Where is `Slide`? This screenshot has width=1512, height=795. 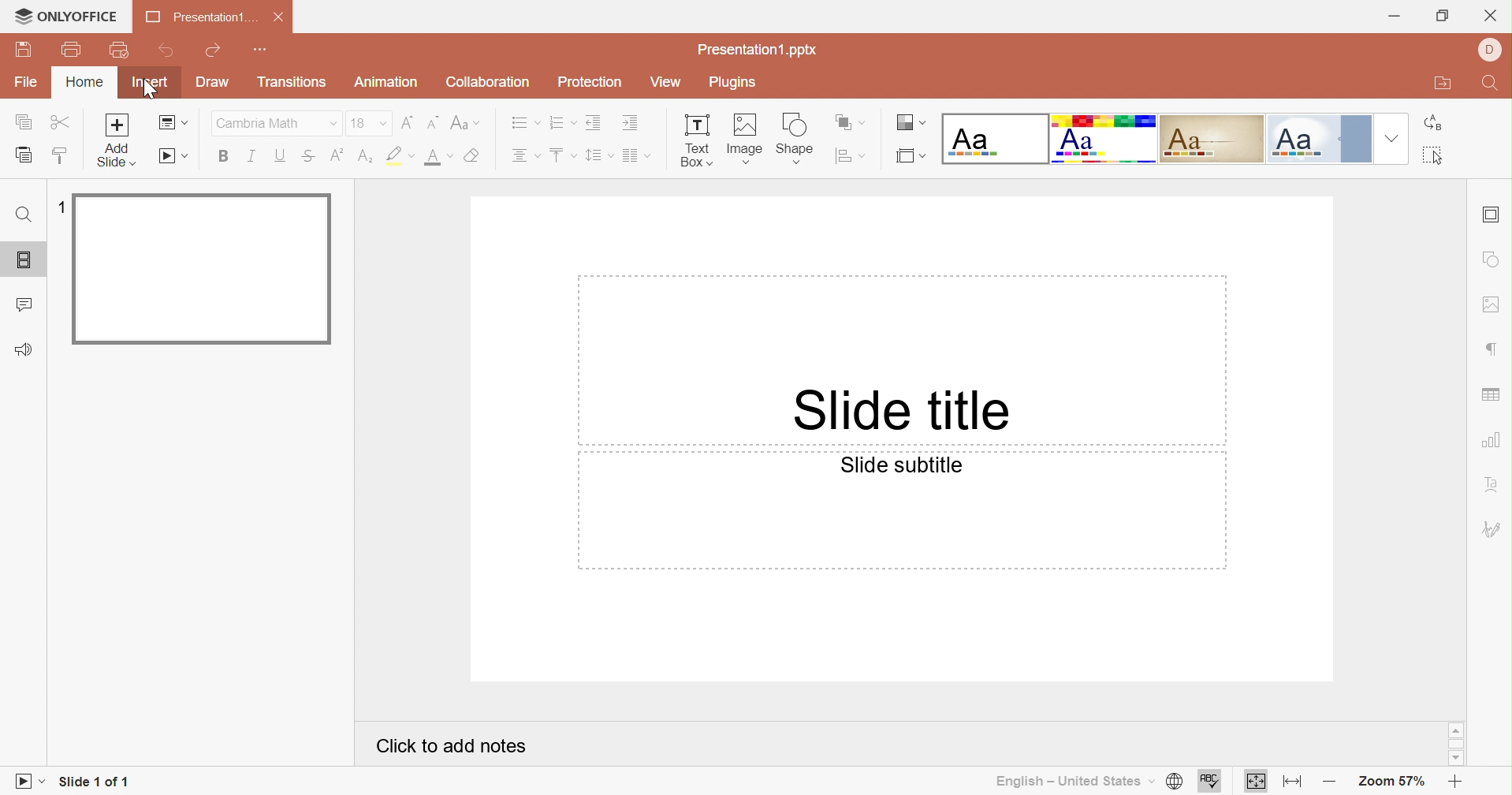 Slide is located at coordinates (203, 271).